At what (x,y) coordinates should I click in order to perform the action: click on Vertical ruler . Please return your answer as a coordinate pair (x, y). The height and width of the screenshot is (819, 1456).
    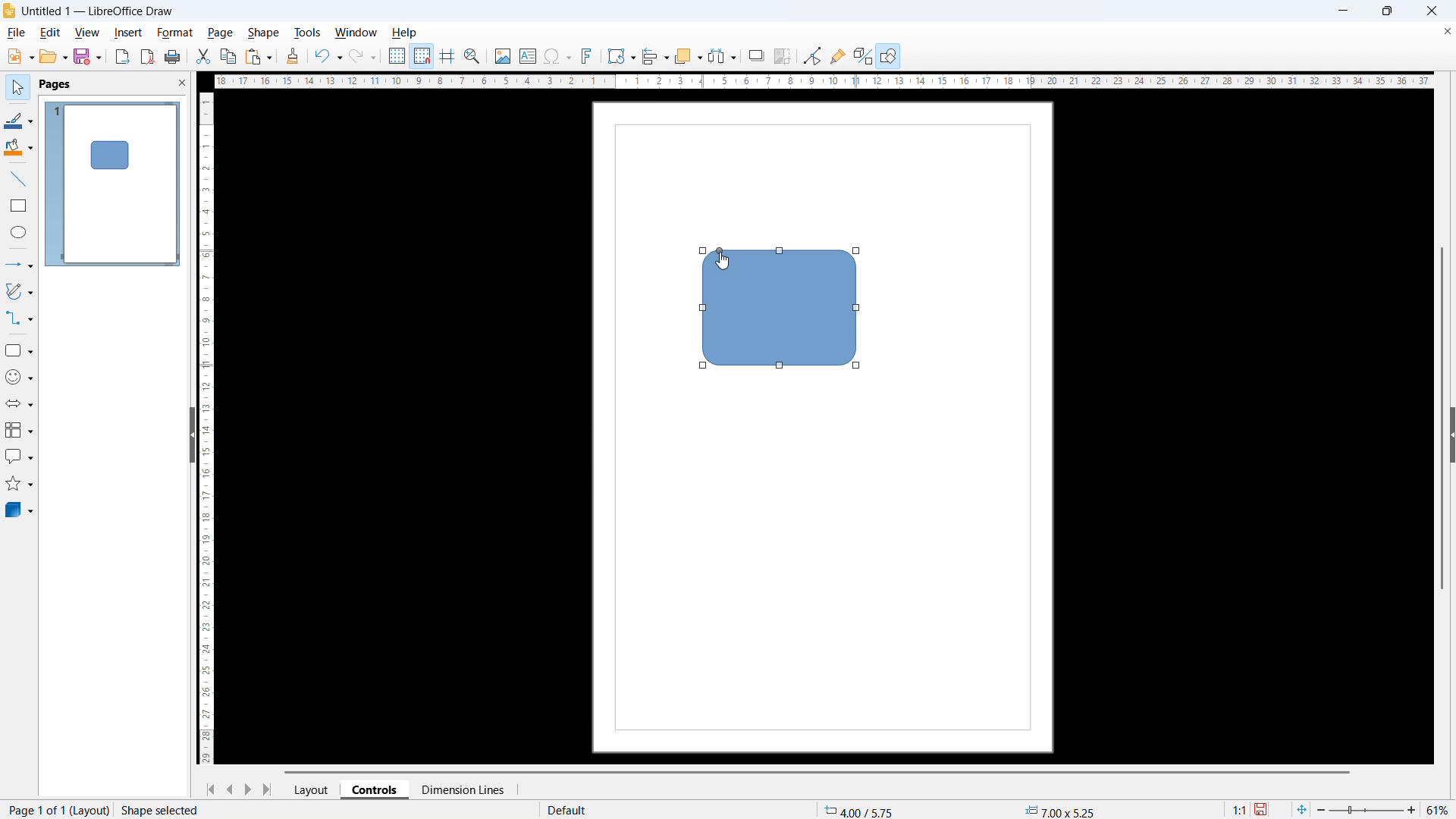
    Looking at the image, I should click on (207, 428).